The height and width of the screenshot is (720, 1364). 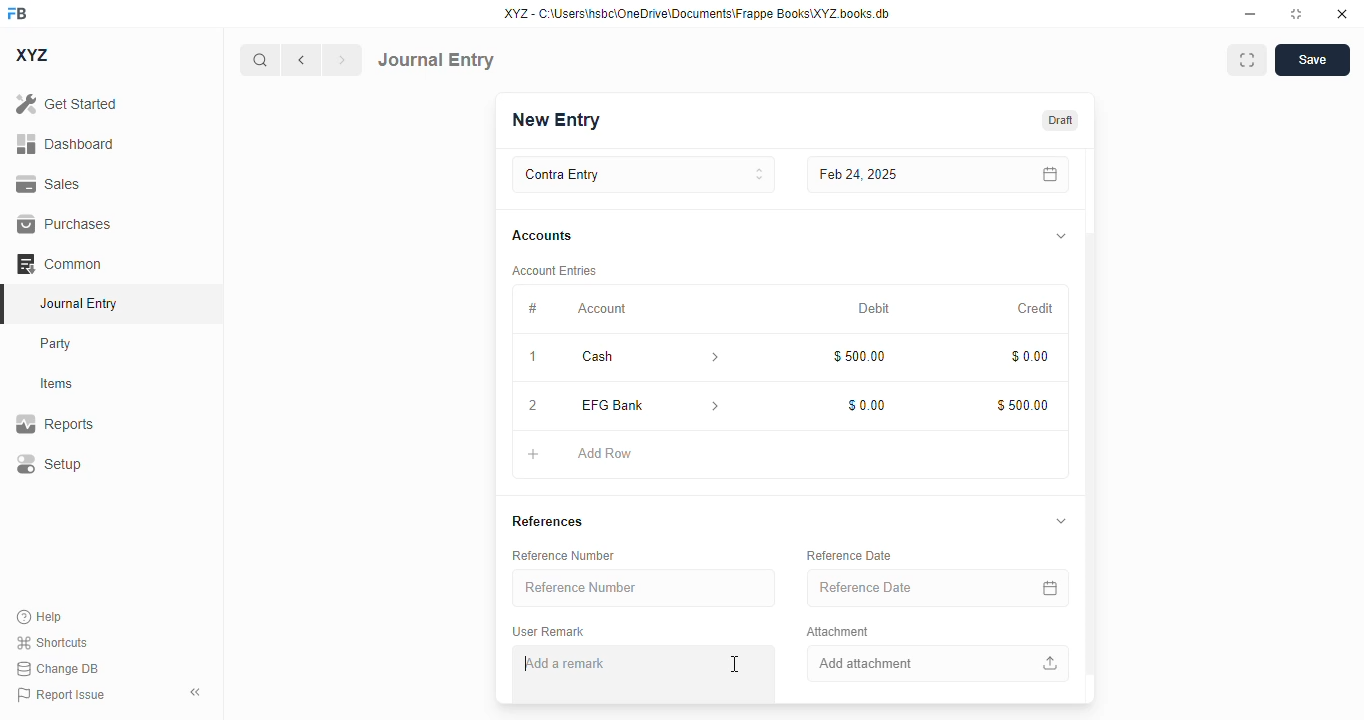 I want to click on XYZ - C:\Users\hsbc\OneDrive\Documents\Frappe Books\XYZ books. db, so click(x=697, y=14).